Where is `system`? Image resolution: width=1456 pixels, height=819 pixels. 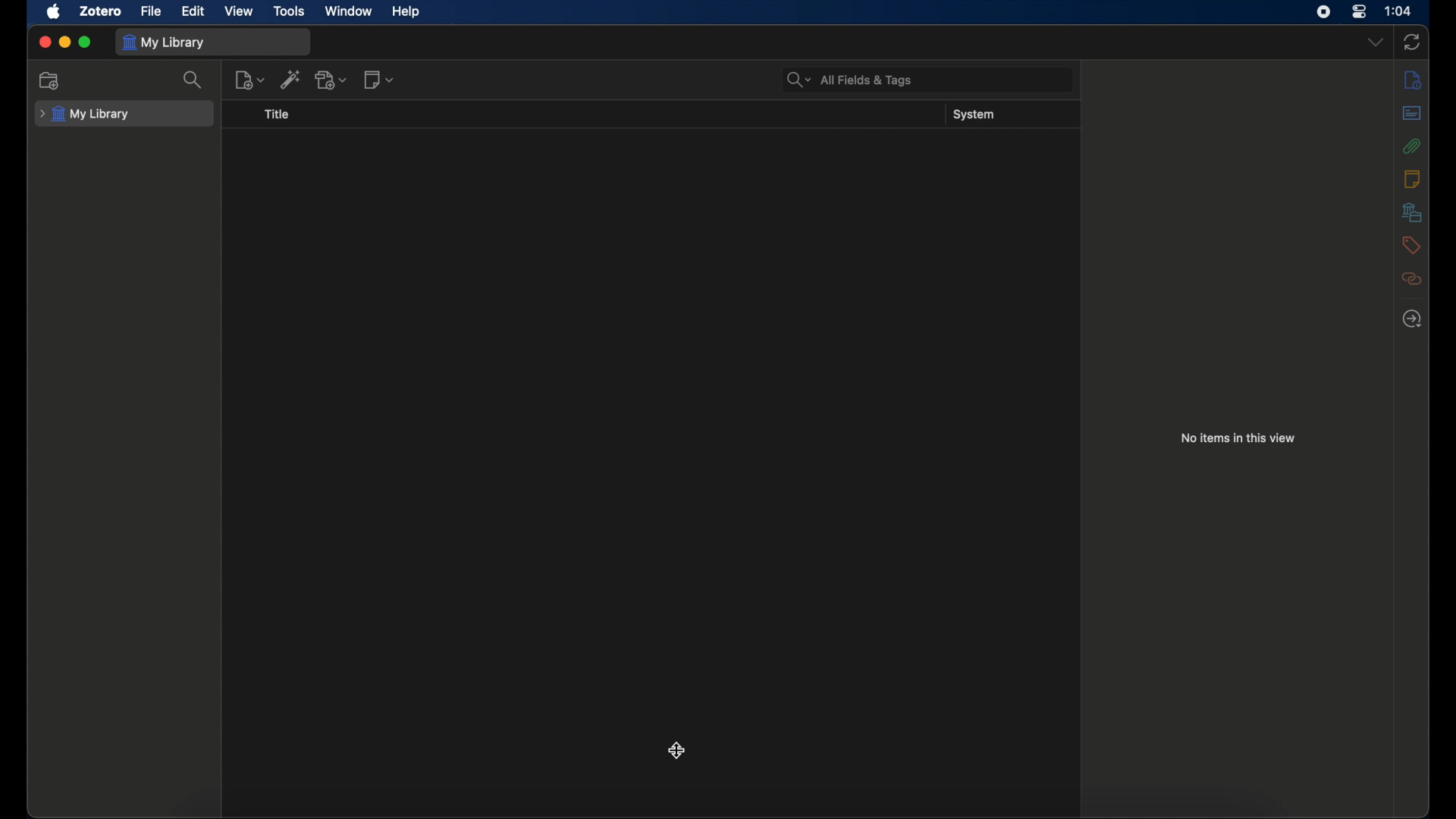
system is located at coordinates (973, 115).